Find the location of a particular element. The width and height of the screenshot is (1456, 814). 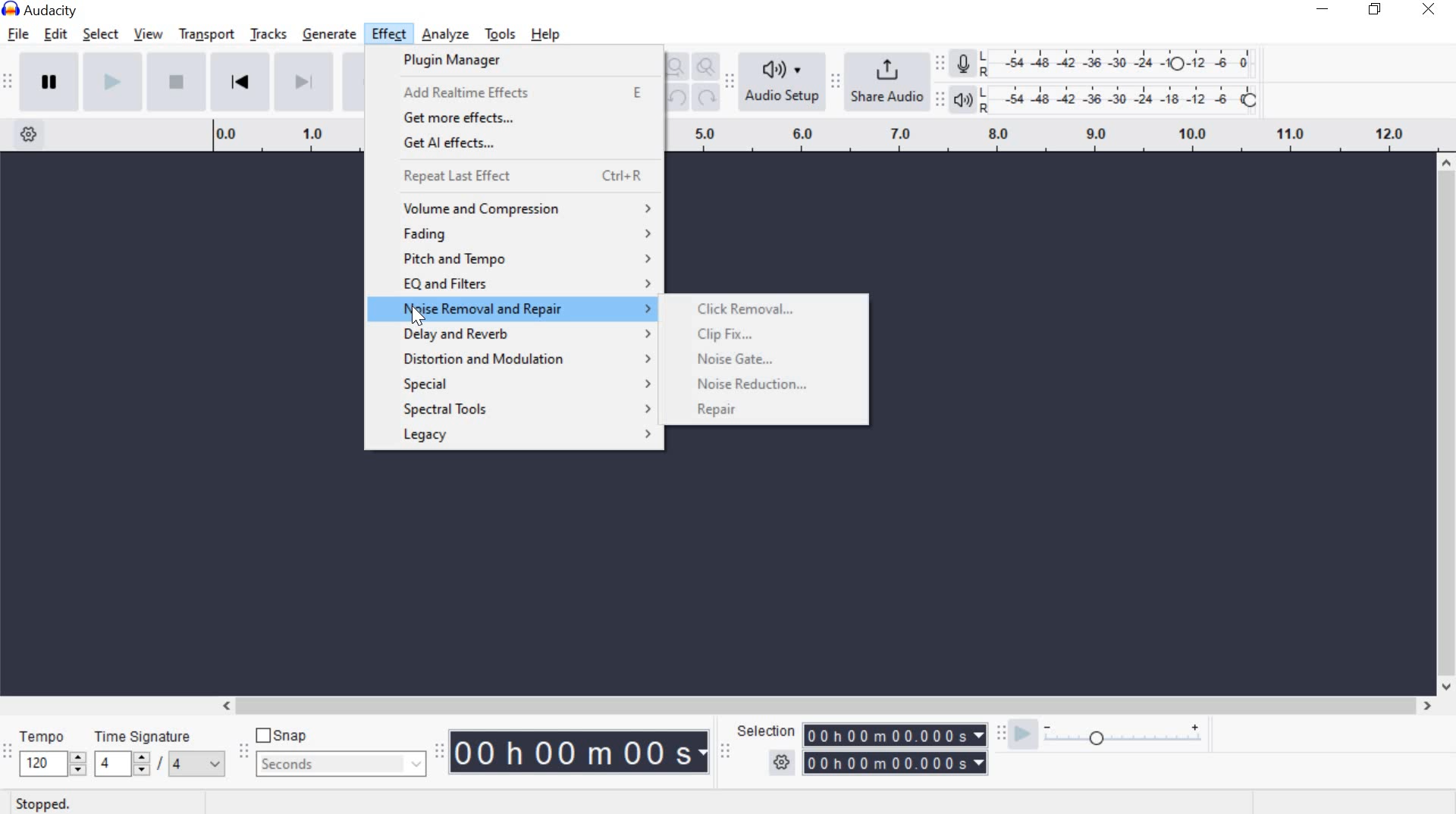

playback speed is located at coordinates (1025, 737).